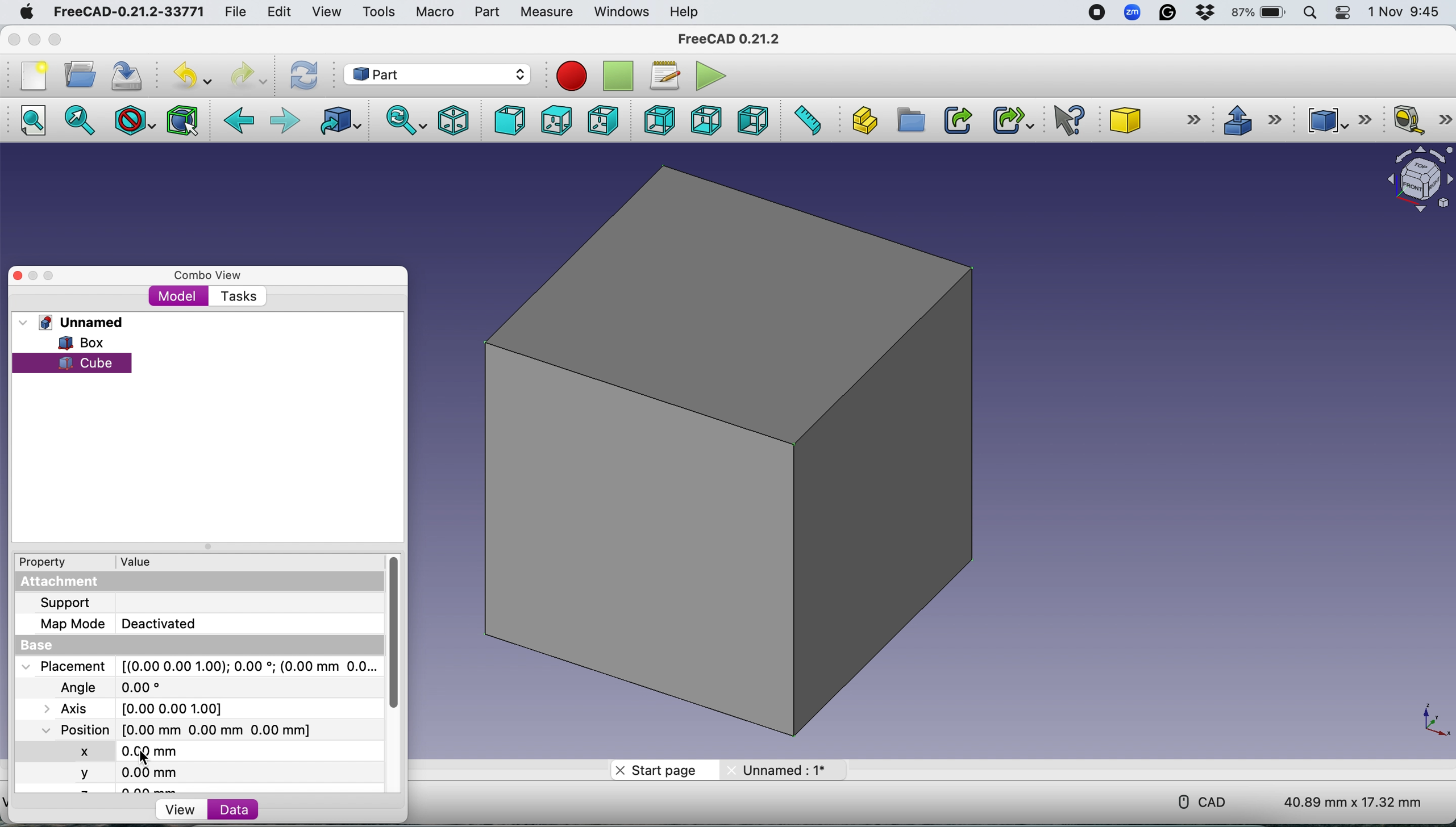 This screenshot has height=827, width=1456. What do you see at coordinates (622, 12) in the screenshot?
I see `Windows` at bounding box center [622, 12].